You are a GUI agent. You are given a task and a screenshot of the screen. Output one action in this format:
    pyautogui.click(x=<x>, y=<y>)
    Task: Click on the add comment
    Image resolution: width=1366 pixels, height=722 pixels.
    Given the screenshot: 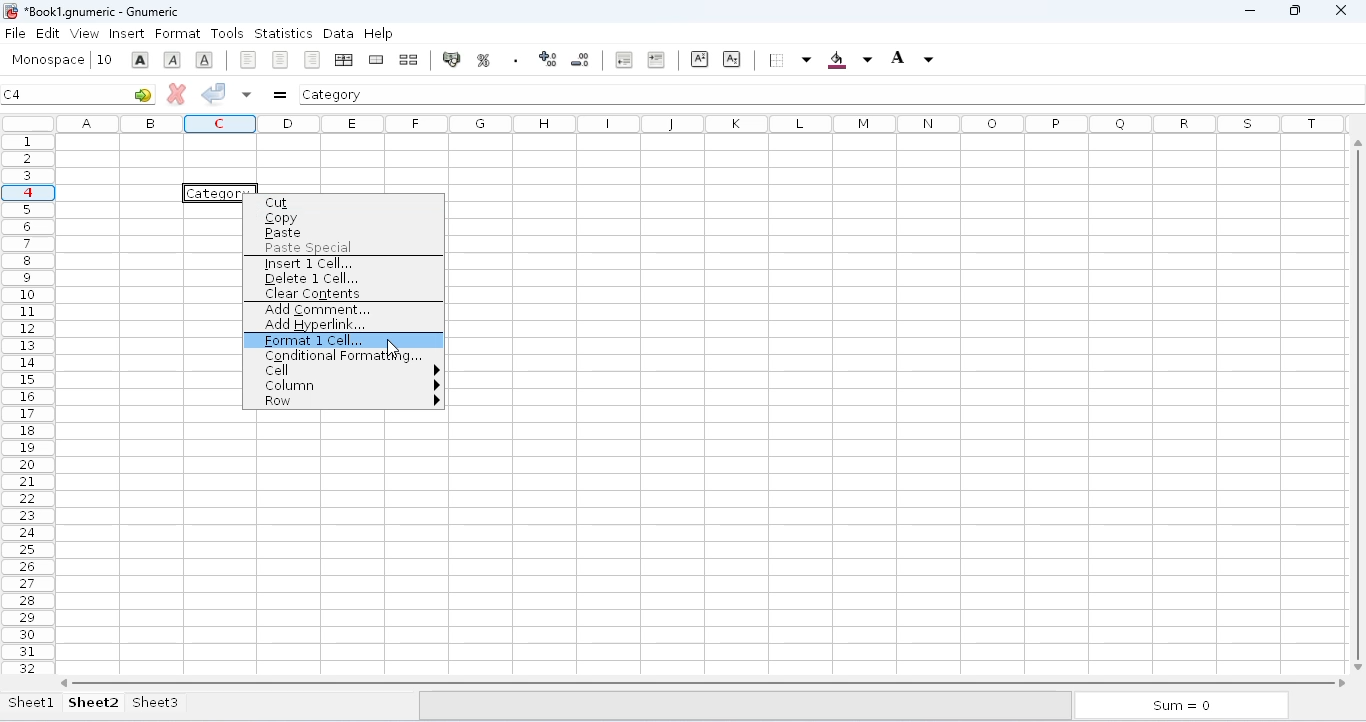 What is the action you would take?
    pyautogui.click(x=318, y=310)
    